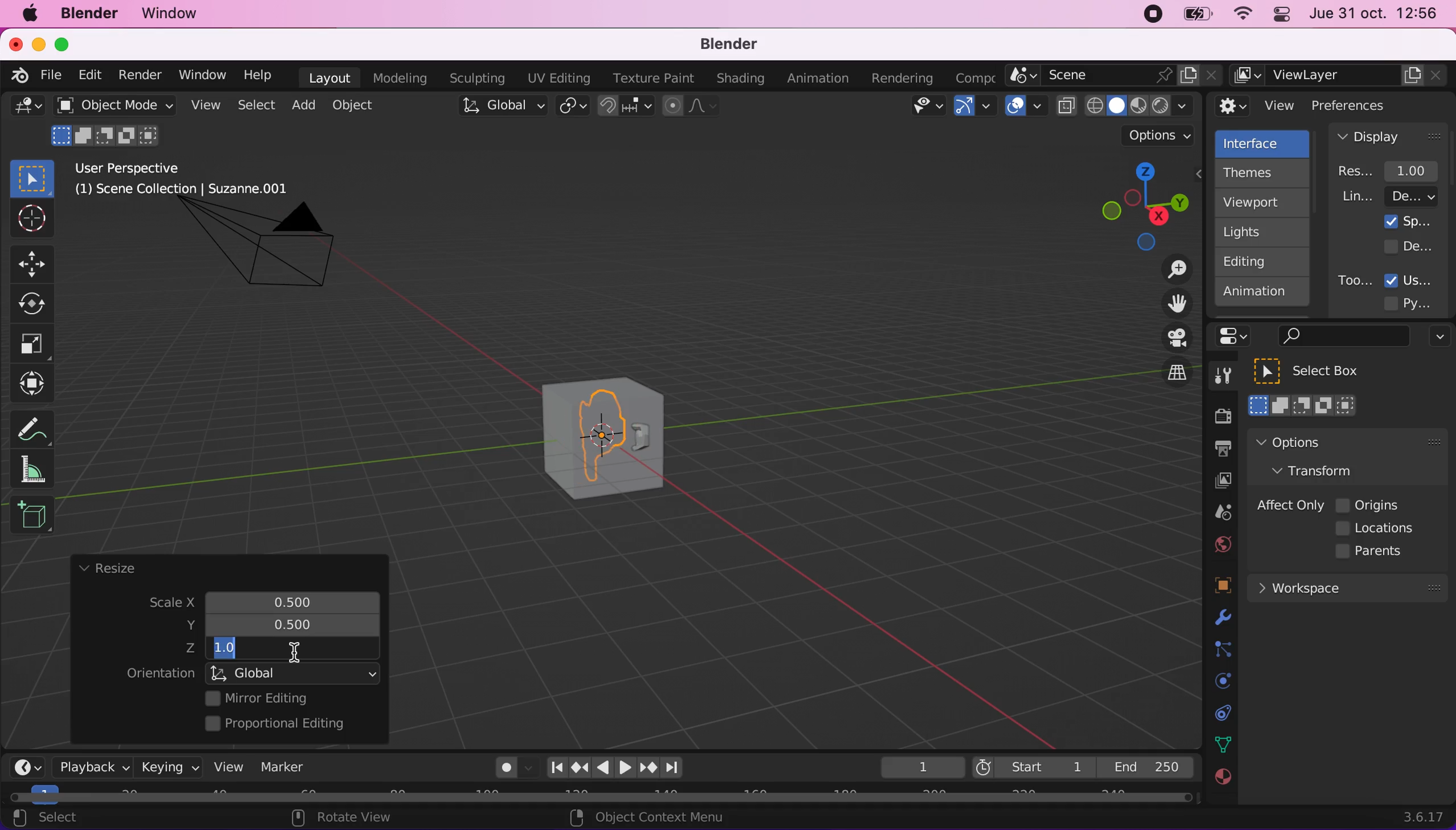 The width and height of the screenshot is (1456, 830). Describe the element at coordinates (329, 78) in the screenshot. I see `layout` at that location.